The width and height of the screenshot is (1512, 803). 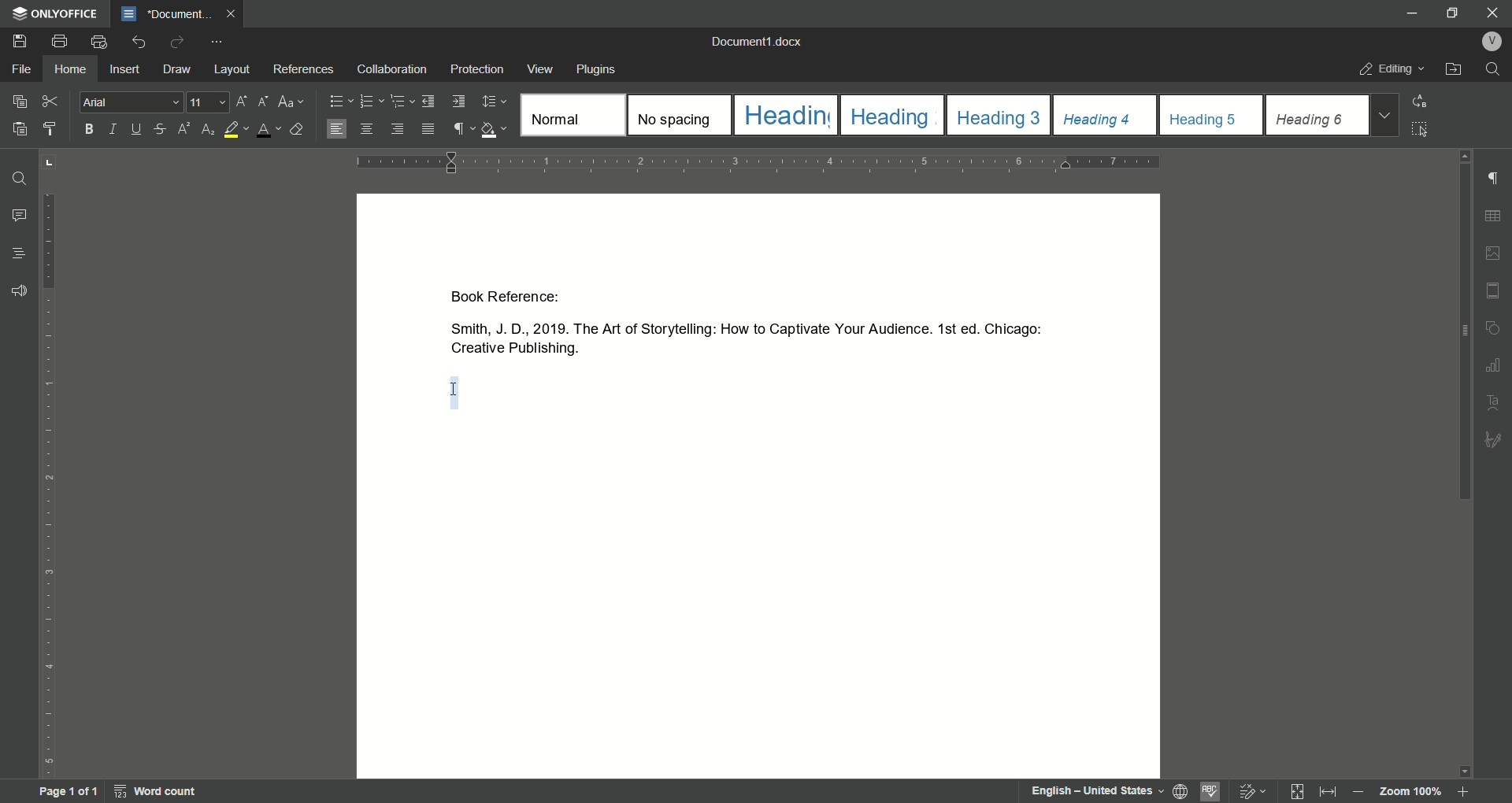 What do you see at coordinates (784, 115) in the screenshot?
I see `headings` at bounding box center [784, 115].